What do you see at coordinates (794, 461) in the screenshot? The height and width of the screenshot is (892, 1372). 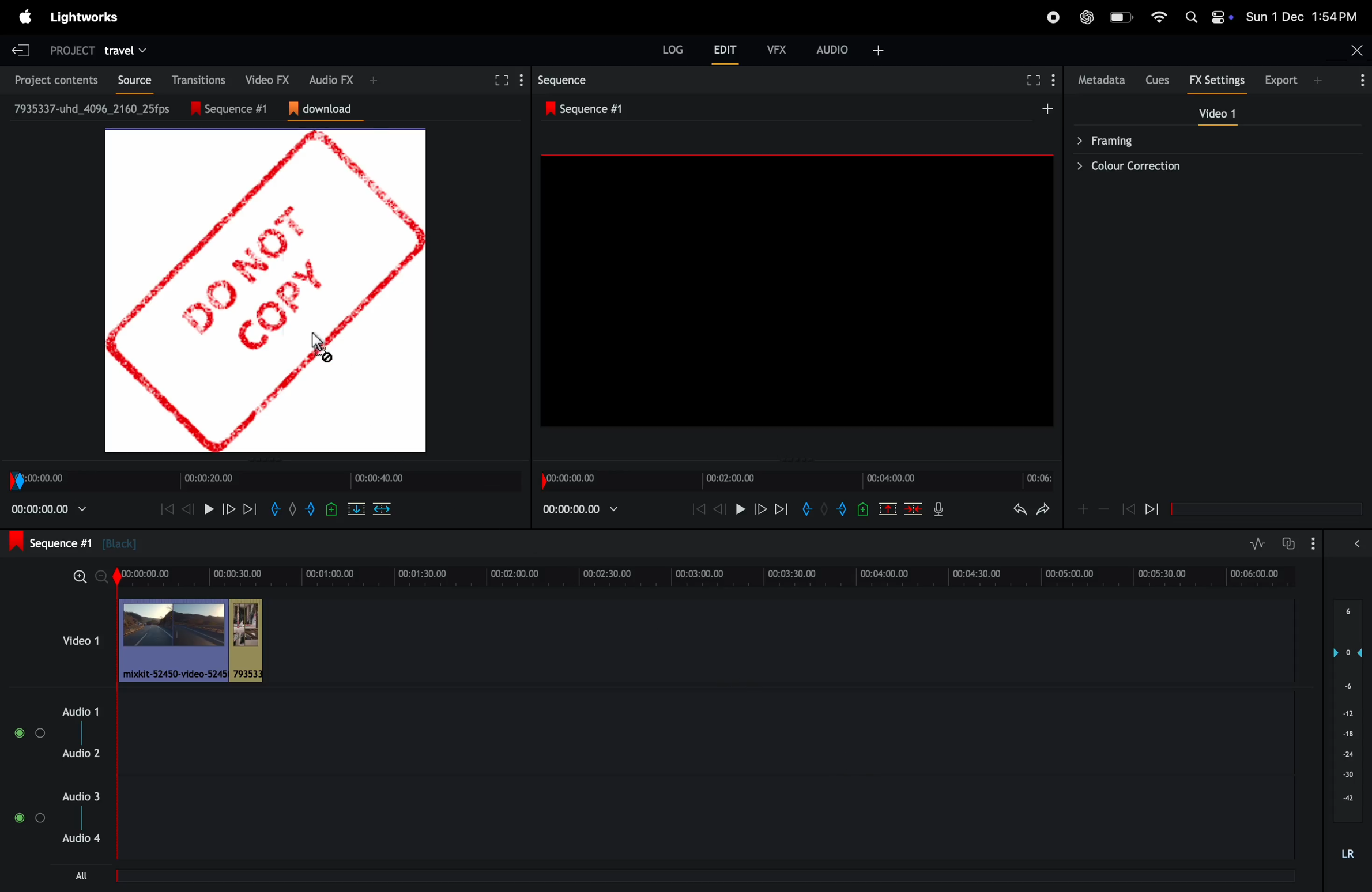 I see `Drag to change dimension` at bounding box center [794, 461].